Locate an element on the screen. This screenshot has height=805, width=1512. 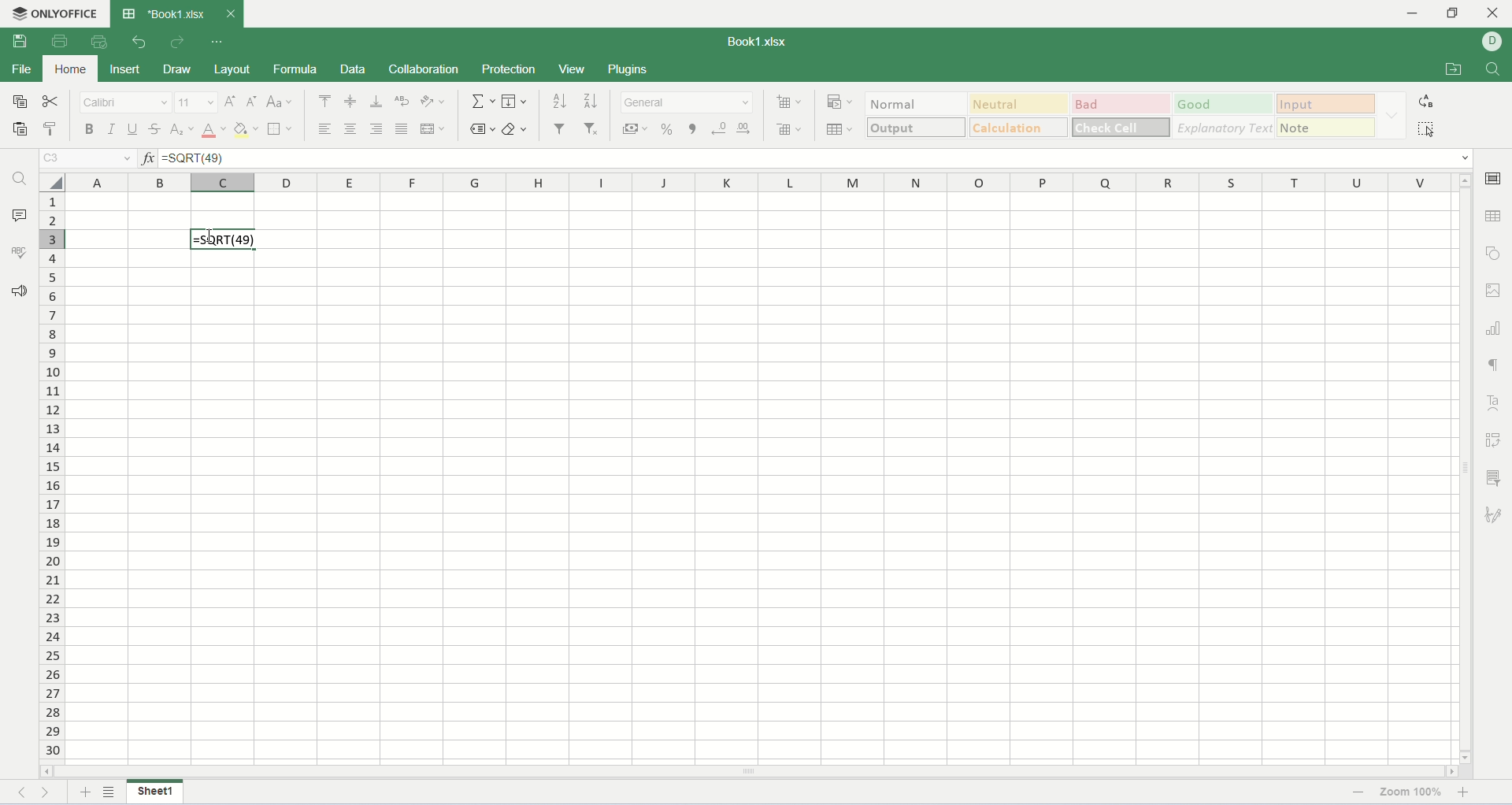
undo is located at coordinates (140, 42).